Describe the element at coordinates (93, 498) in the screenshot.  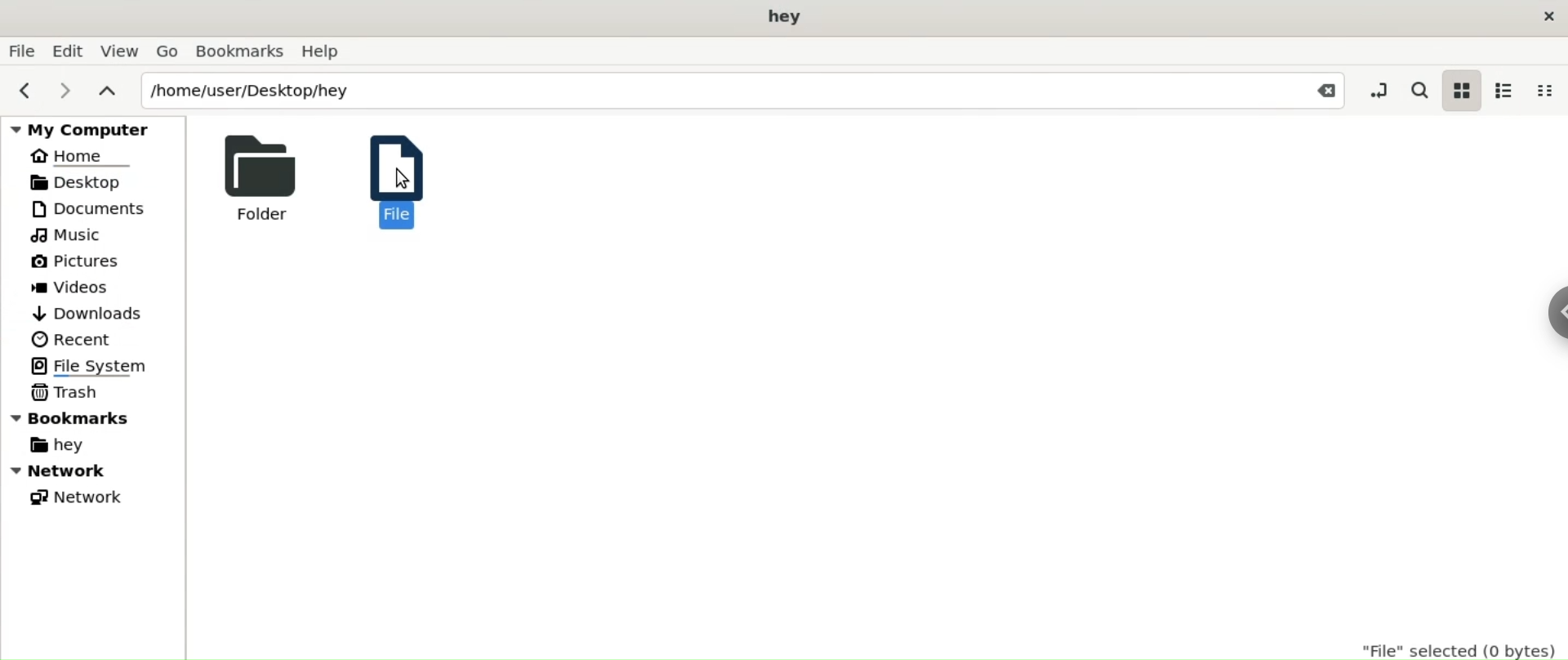
I see `Network` at that location.